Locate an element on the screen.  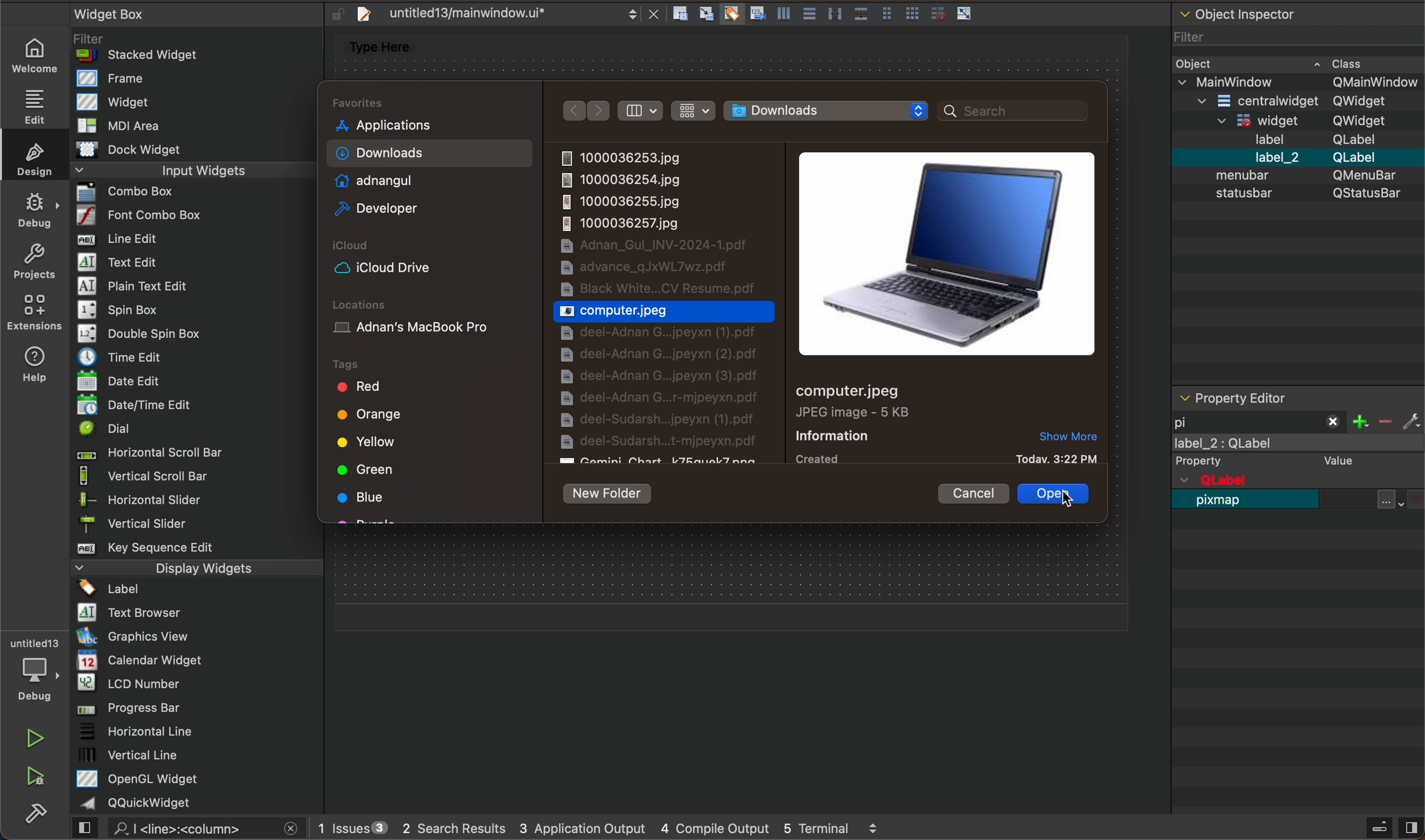
tags is located at coordinates (370, 362).